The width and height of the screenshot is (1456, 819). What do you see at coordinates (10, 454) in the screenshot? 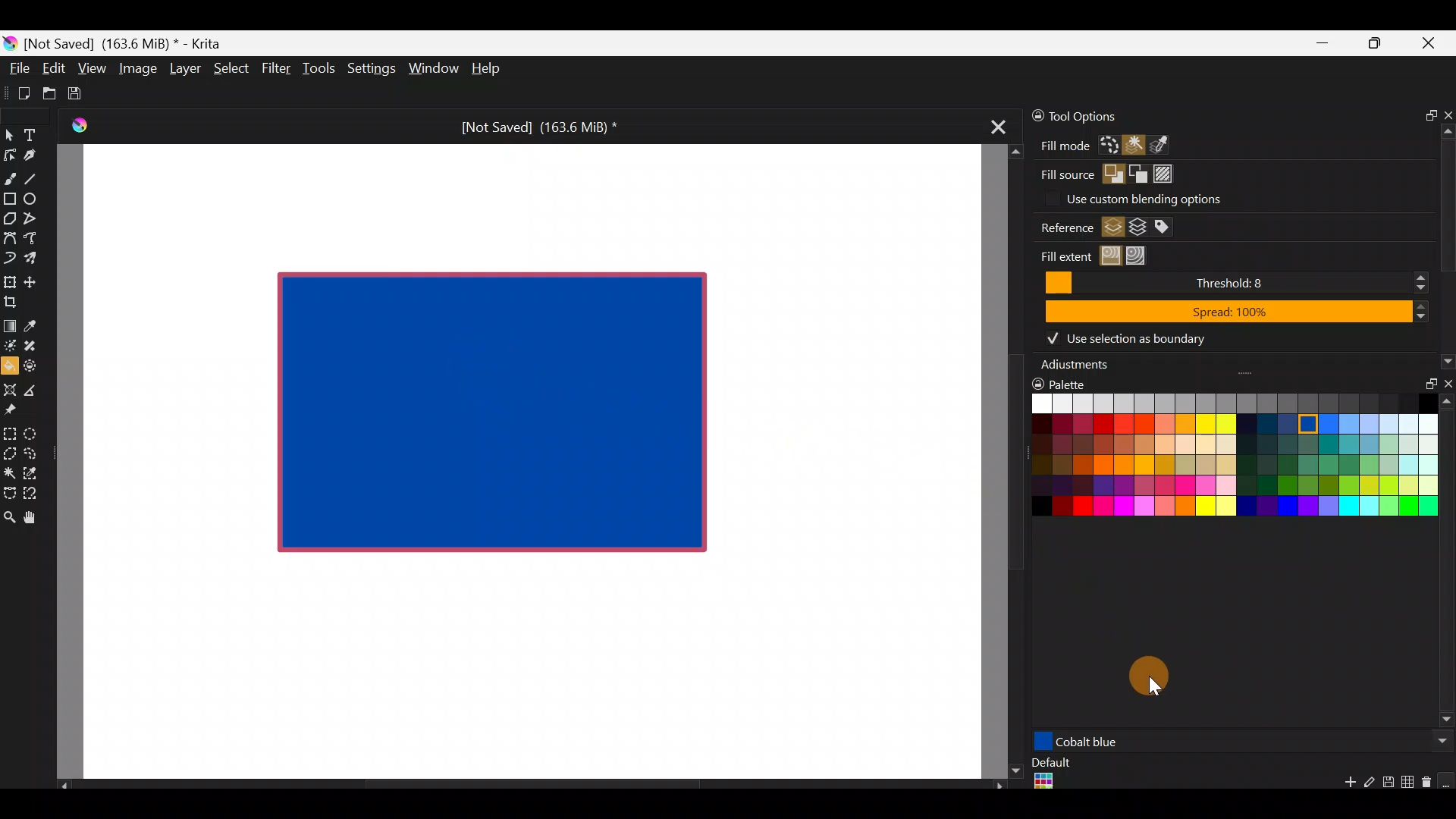
I see `Polygonal section tool` at bounding box center [10, 454].